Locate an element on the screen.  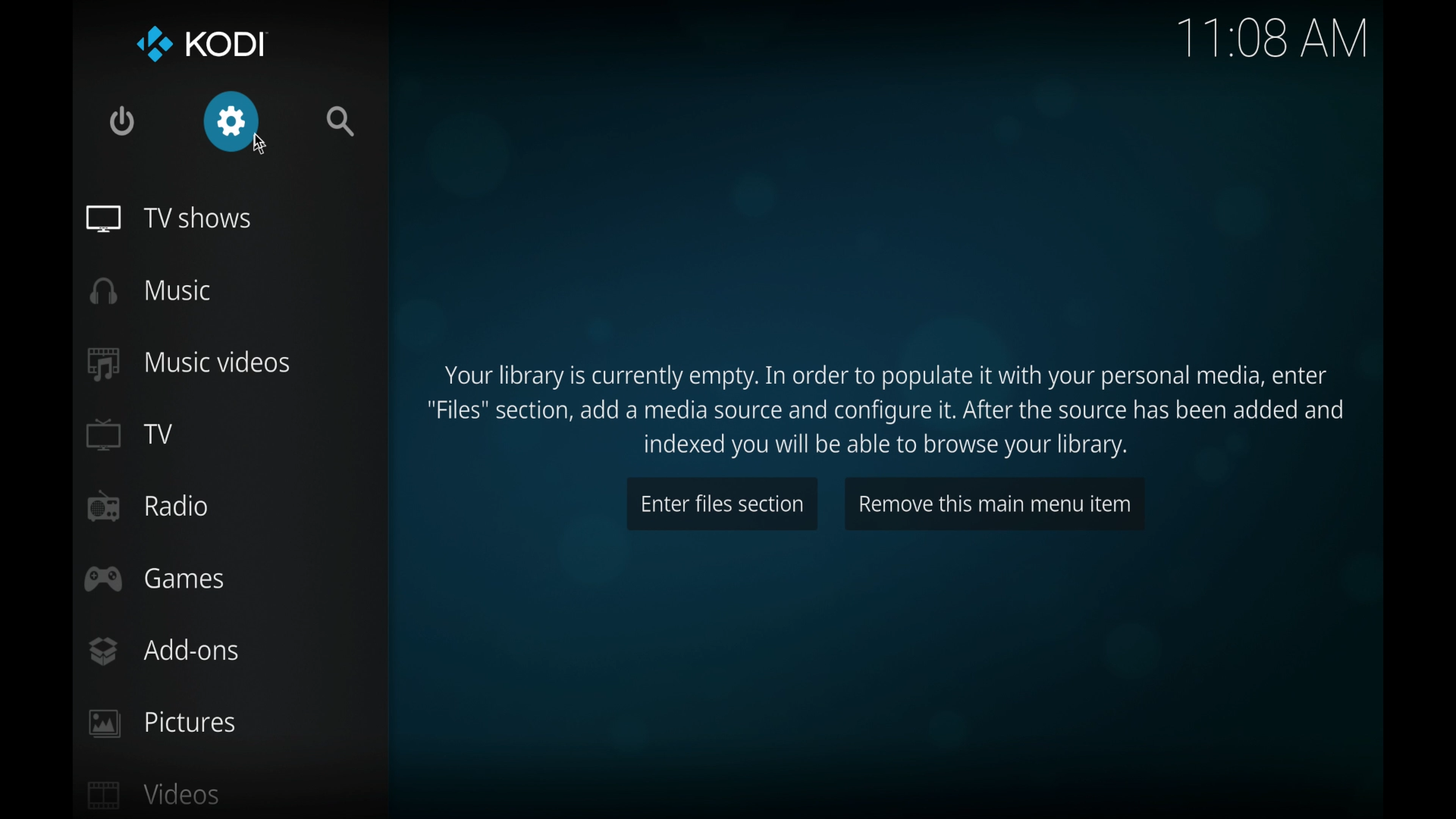
radio is located at coordinates (145, 506).